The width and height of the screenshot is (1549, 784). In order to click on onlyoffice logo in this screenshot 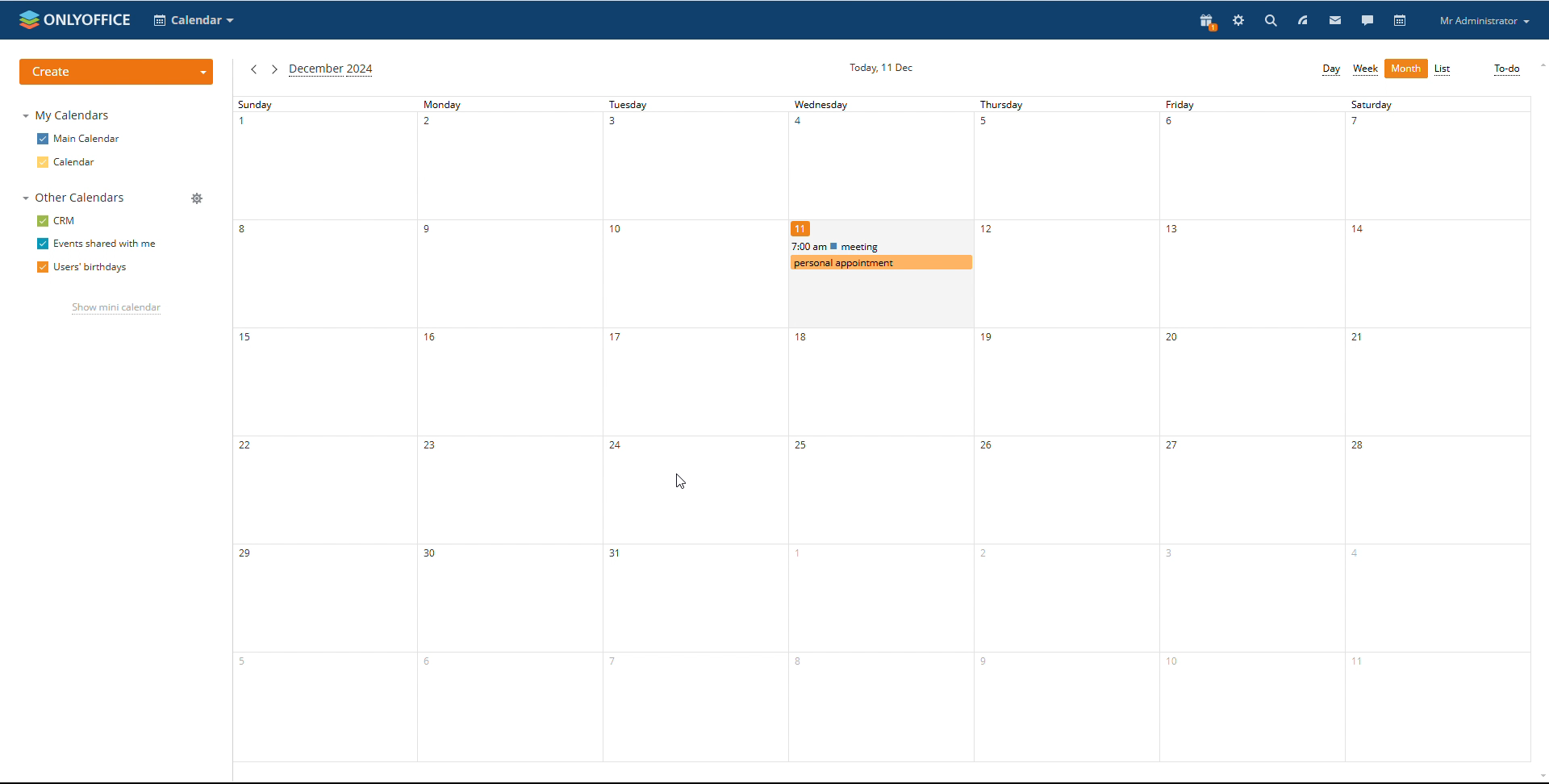, I will do `click(28, 19)`.